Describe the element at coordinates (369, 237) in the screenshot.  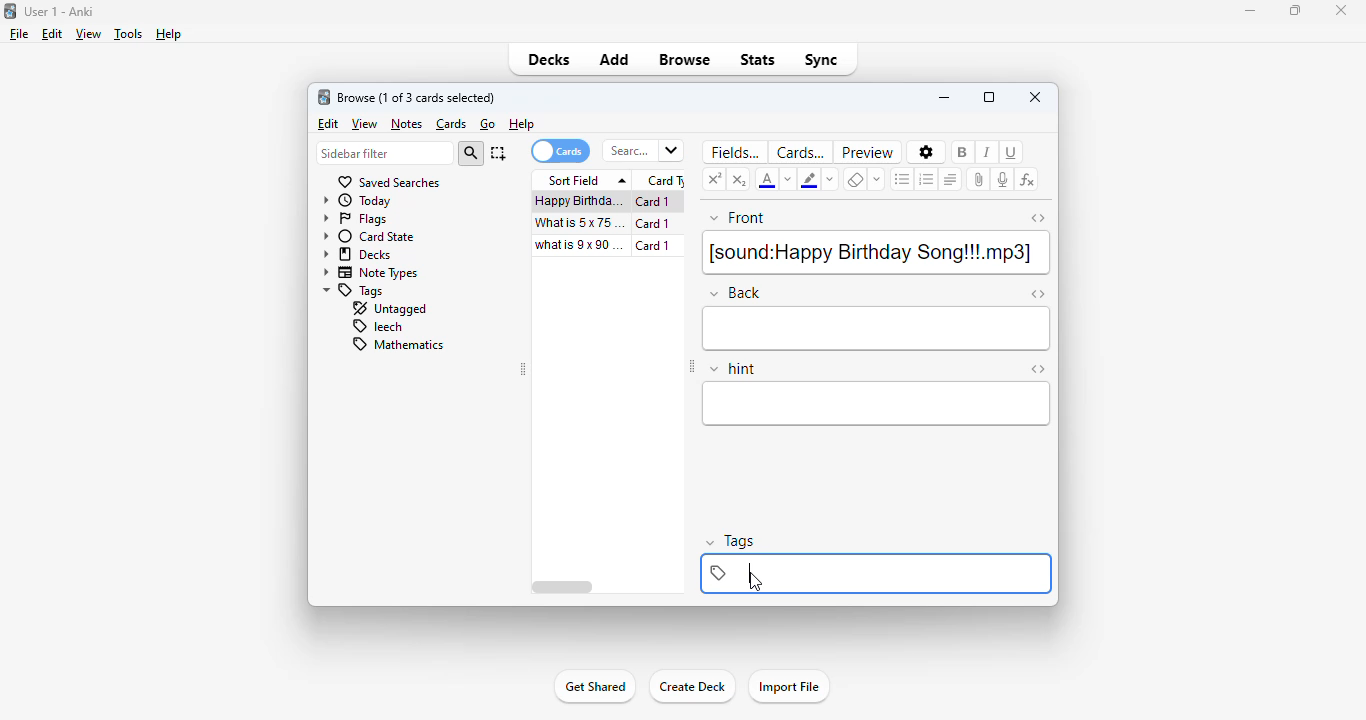
I see `card state` at that location.